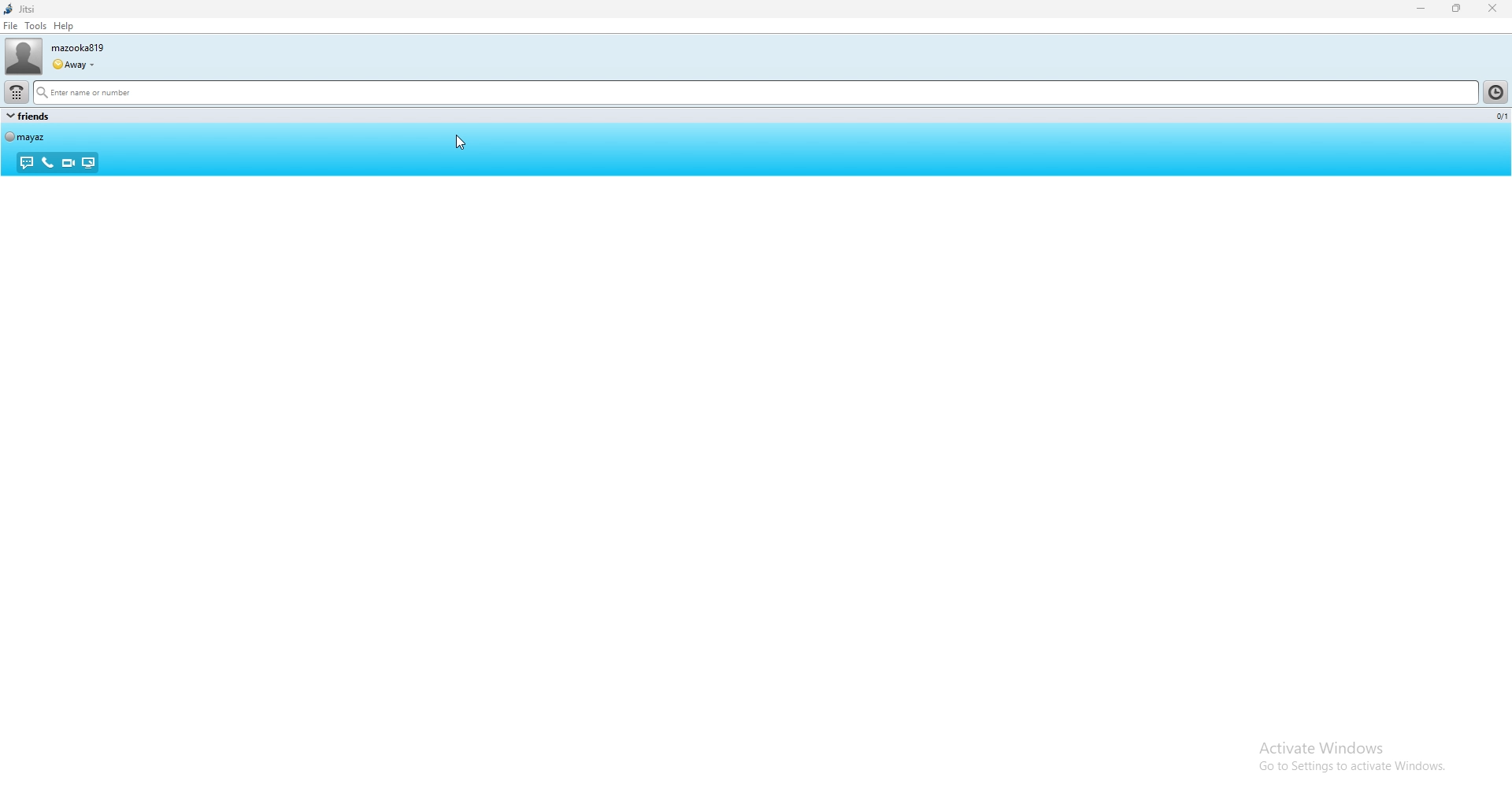  What do you see at coordinates (11, 26) in the screenshot?
I see `file` at bounding box center [11, 26].